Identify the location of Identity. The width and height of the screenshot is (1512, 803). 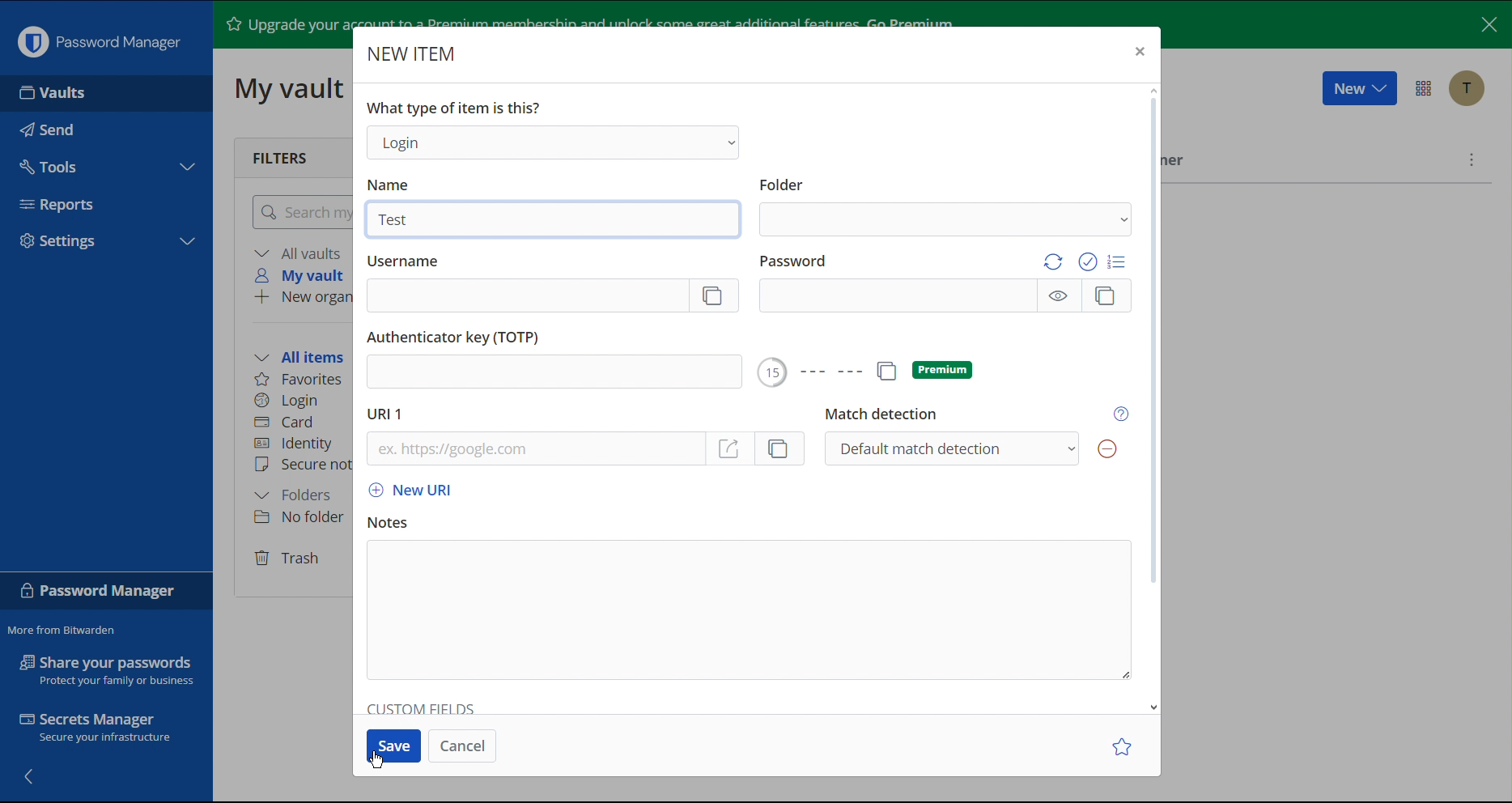
(291, 444).